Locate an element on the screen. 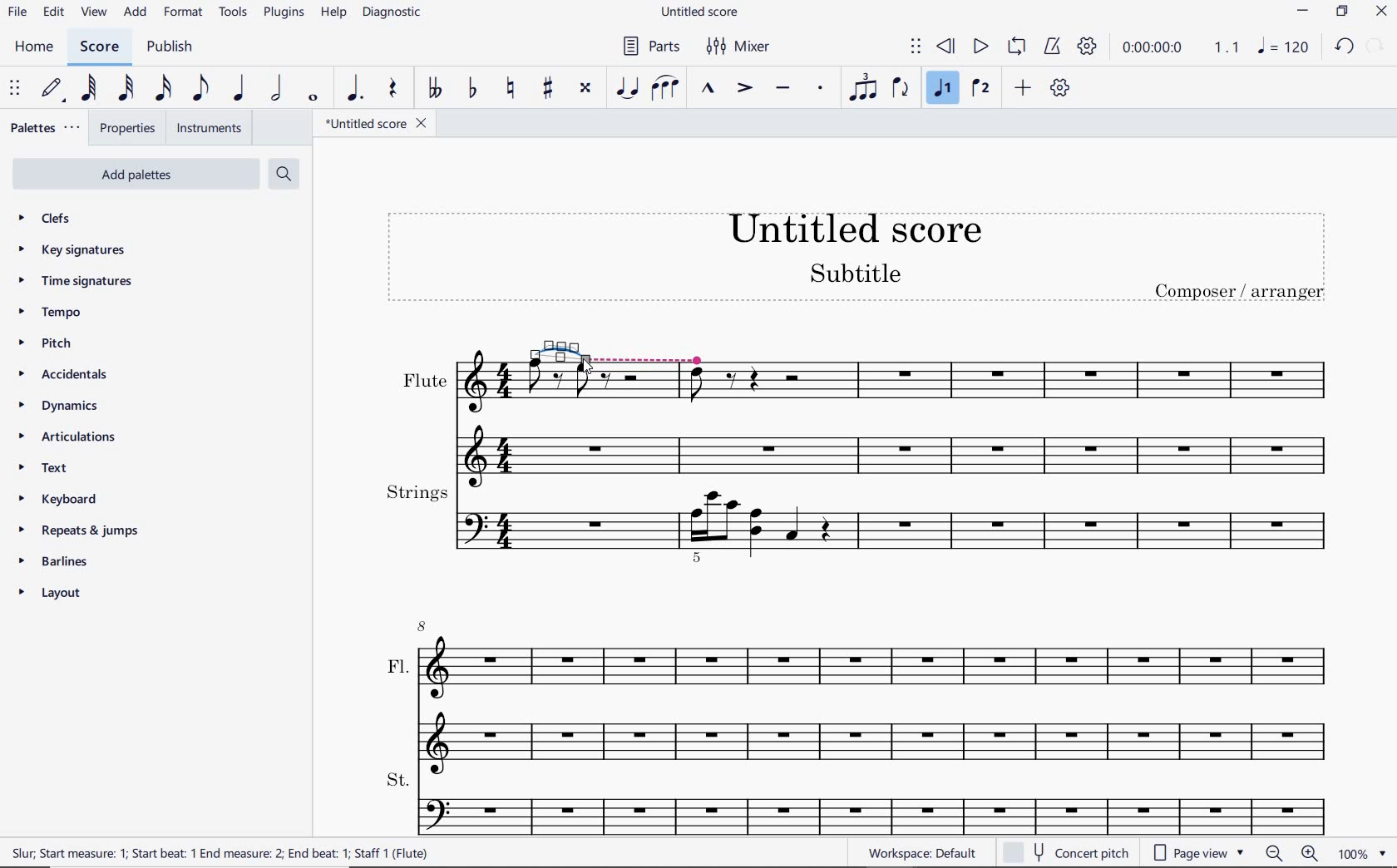  FILE NAME is located at coordinates (373, 122).